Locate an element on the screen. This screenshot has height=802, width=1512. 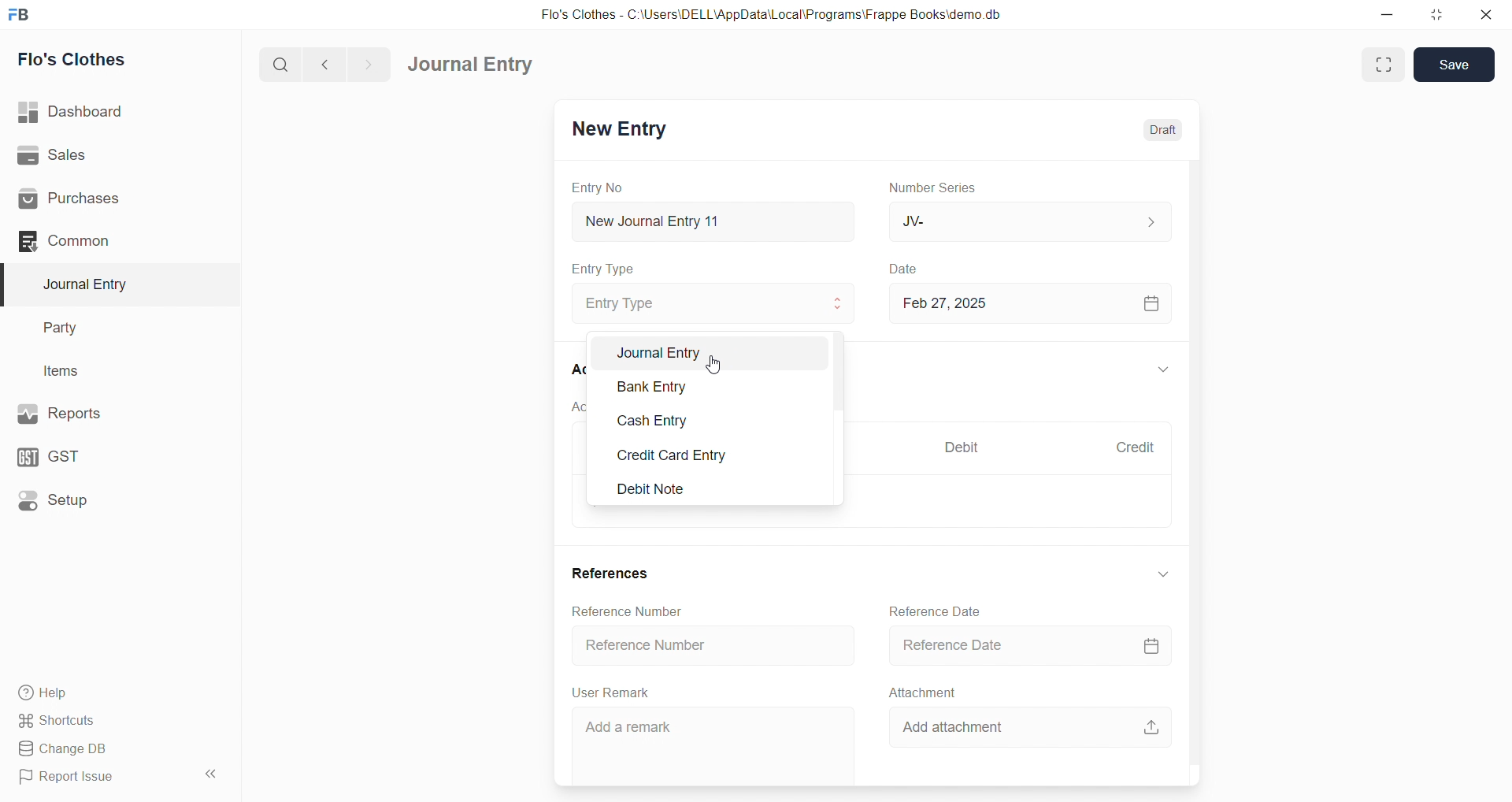
minimize is located at coordinates (1384, 13).